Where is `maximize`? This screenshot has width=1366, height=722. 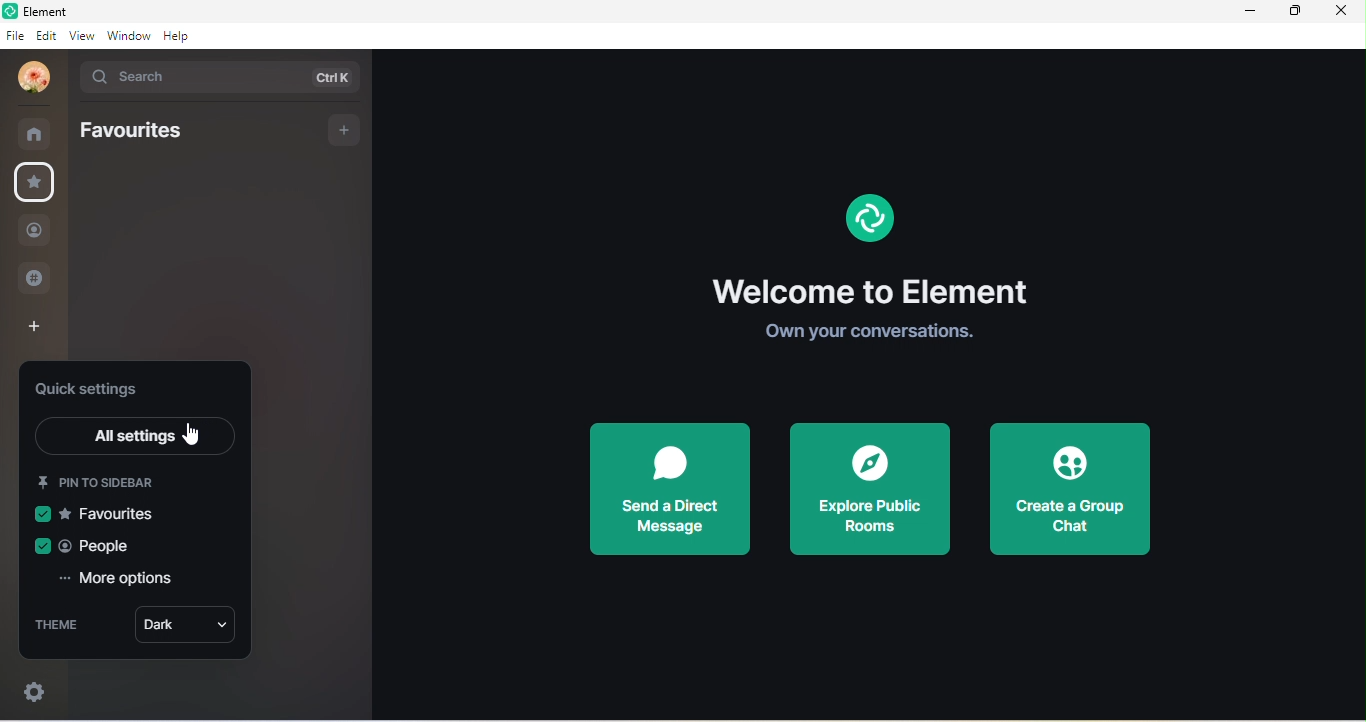 maximize is located at coordinates (1294, 12).